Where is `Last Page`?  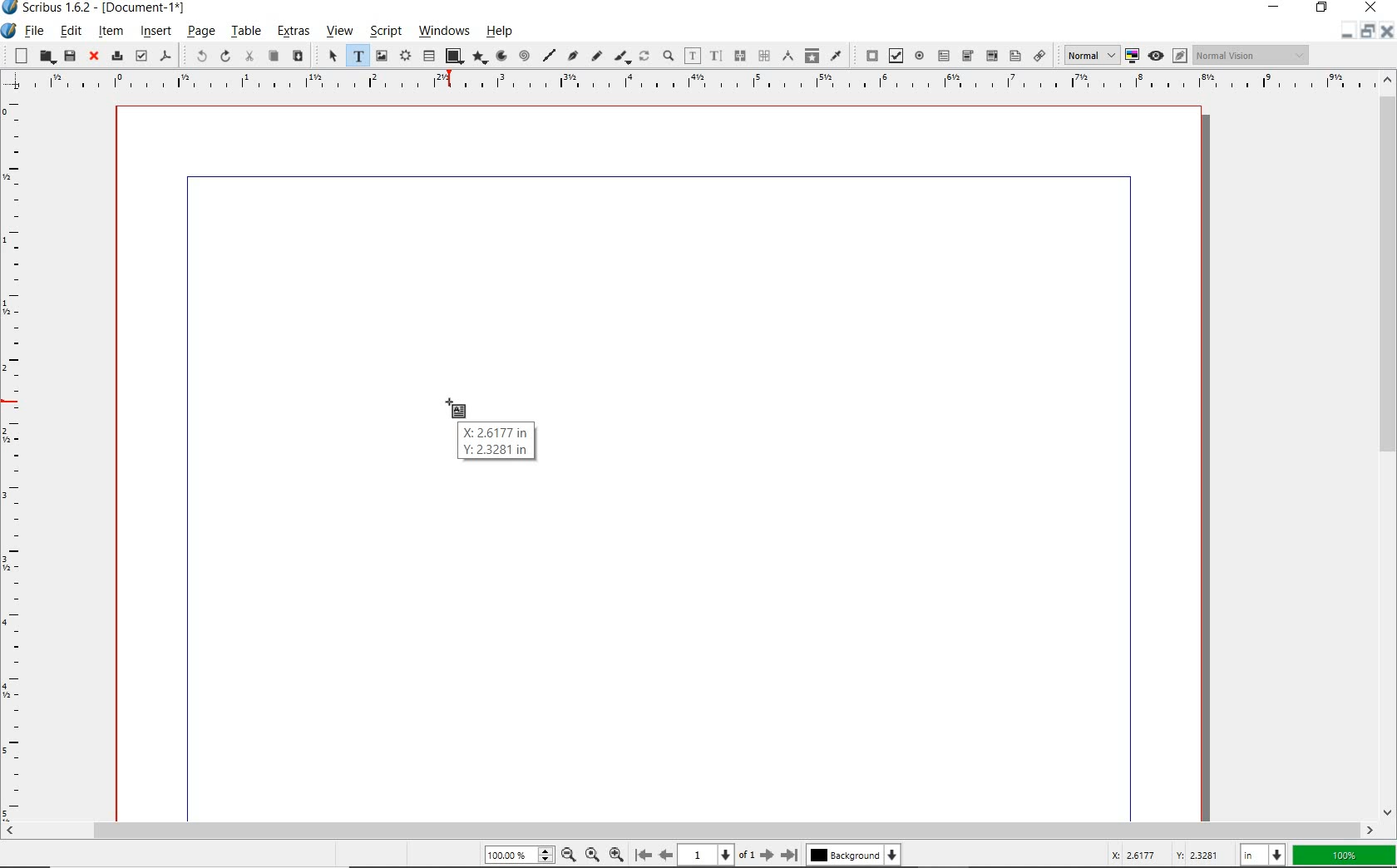 Last Page is located at coordinates (791, 855).